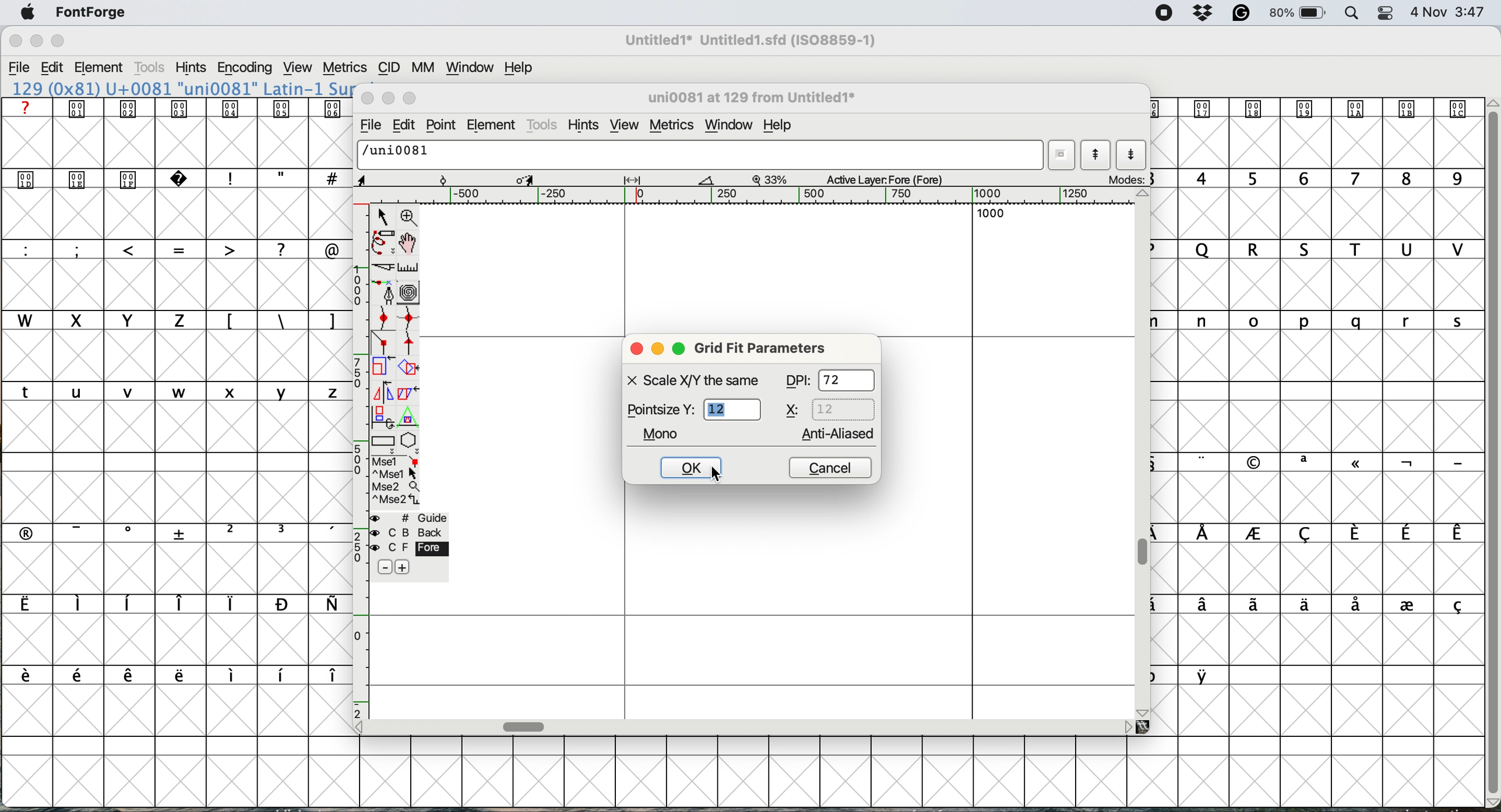 This screenshot has width=1501, height=812. Describe the element at coordinates (413, 549) in the screenshot. I see `C F Fore` at that location.